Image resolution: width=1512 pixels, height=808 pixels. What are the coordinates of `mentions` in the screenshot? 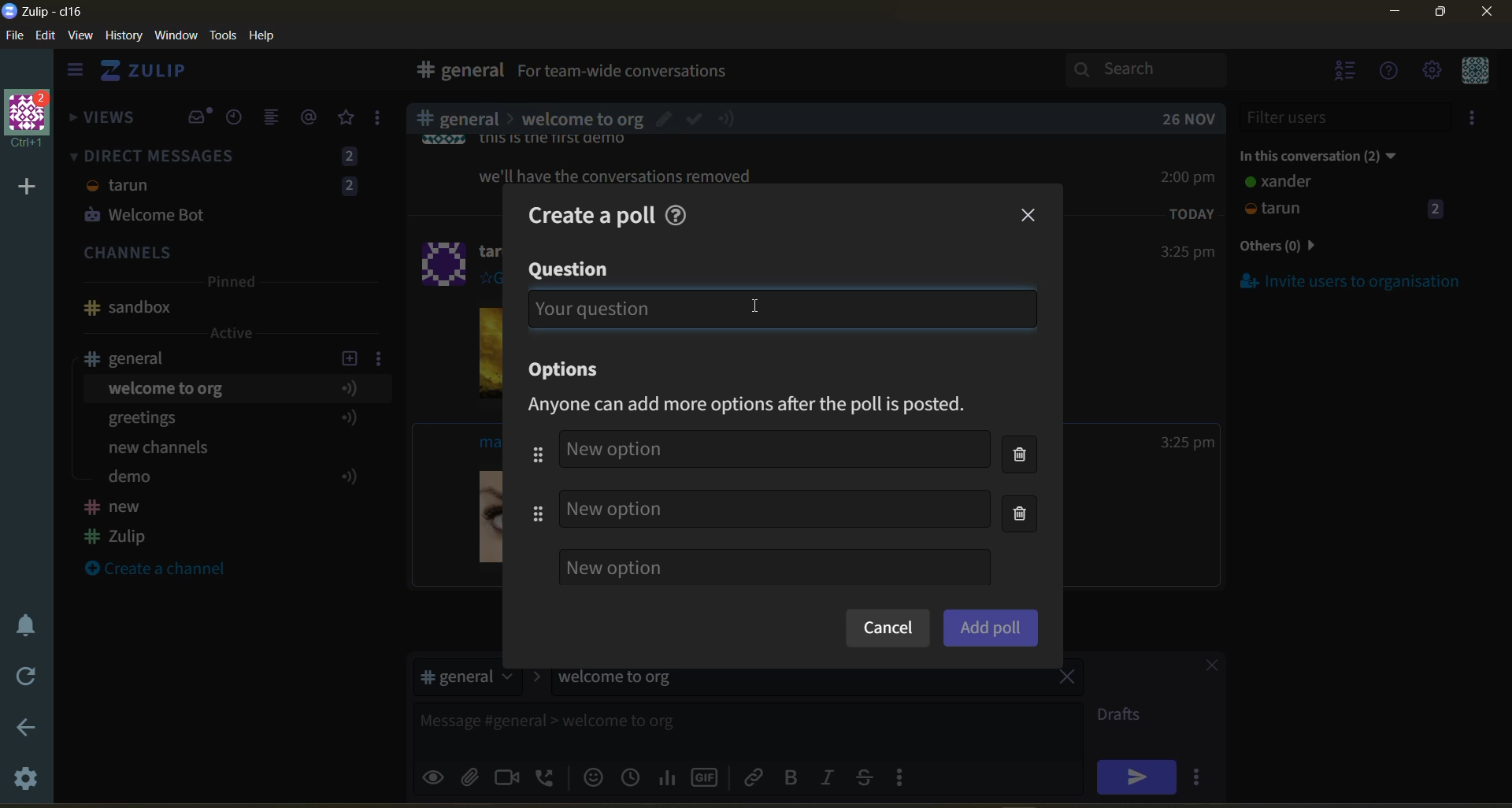 It's located at (312, 117).